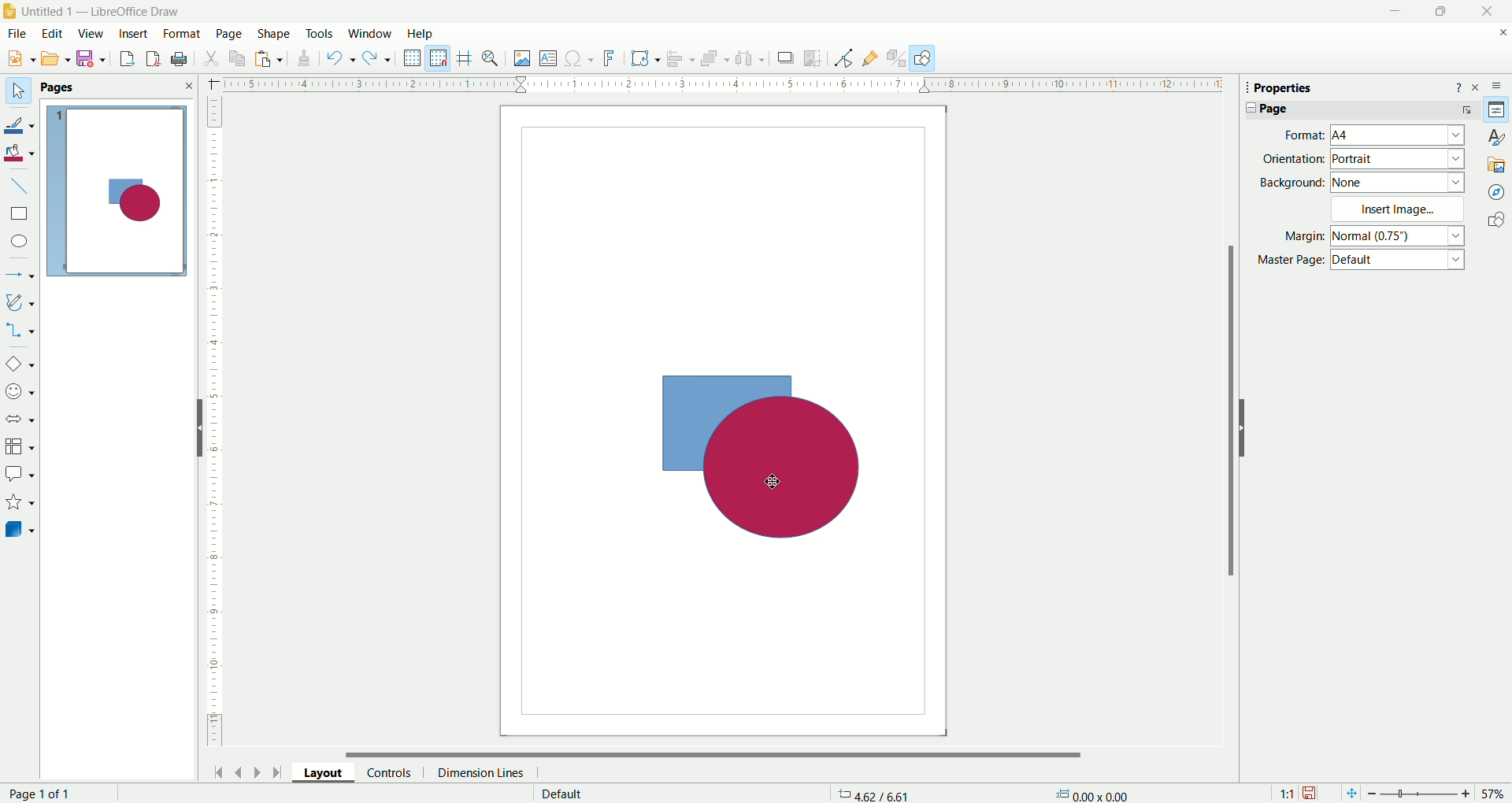 The width and height of the screenshot is (1512, 803). Describe the element at coordinates (1362, 263) in the screenshot. I see `master page` at that location.